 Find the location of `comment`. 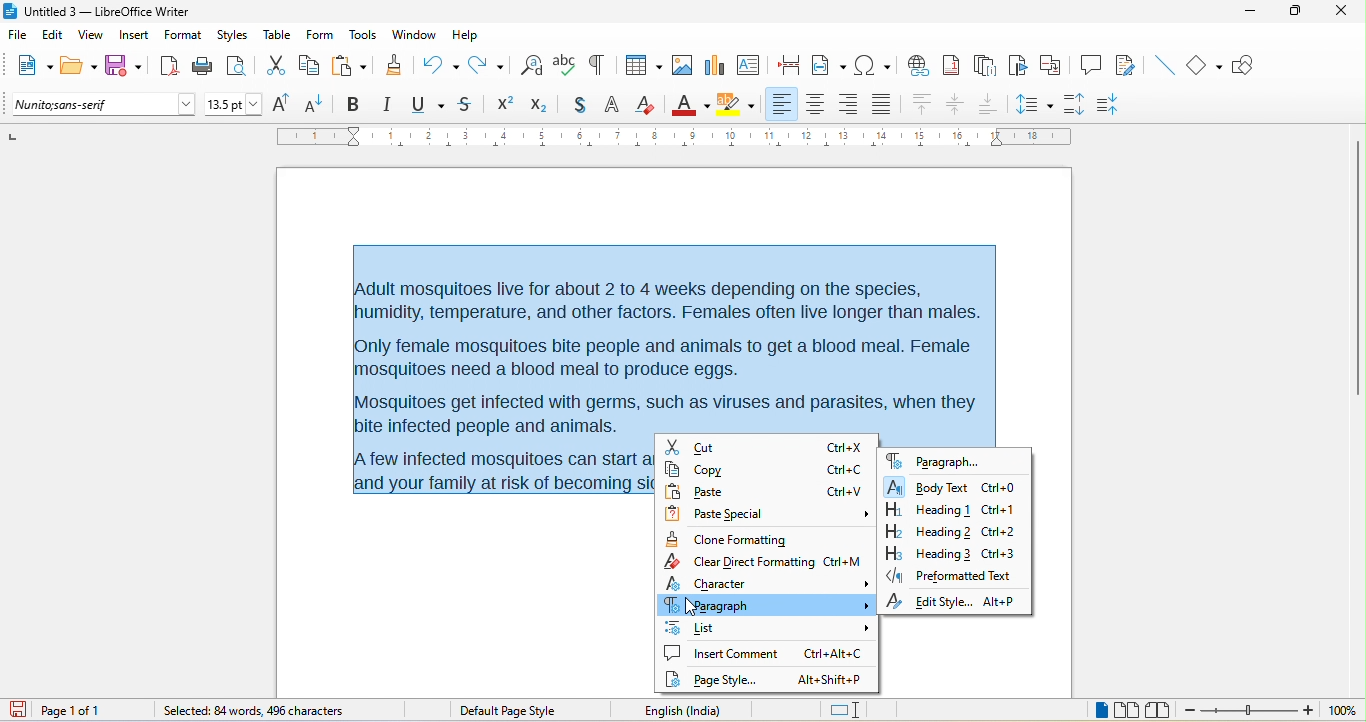

comment is located at coordinates (1091, 63).